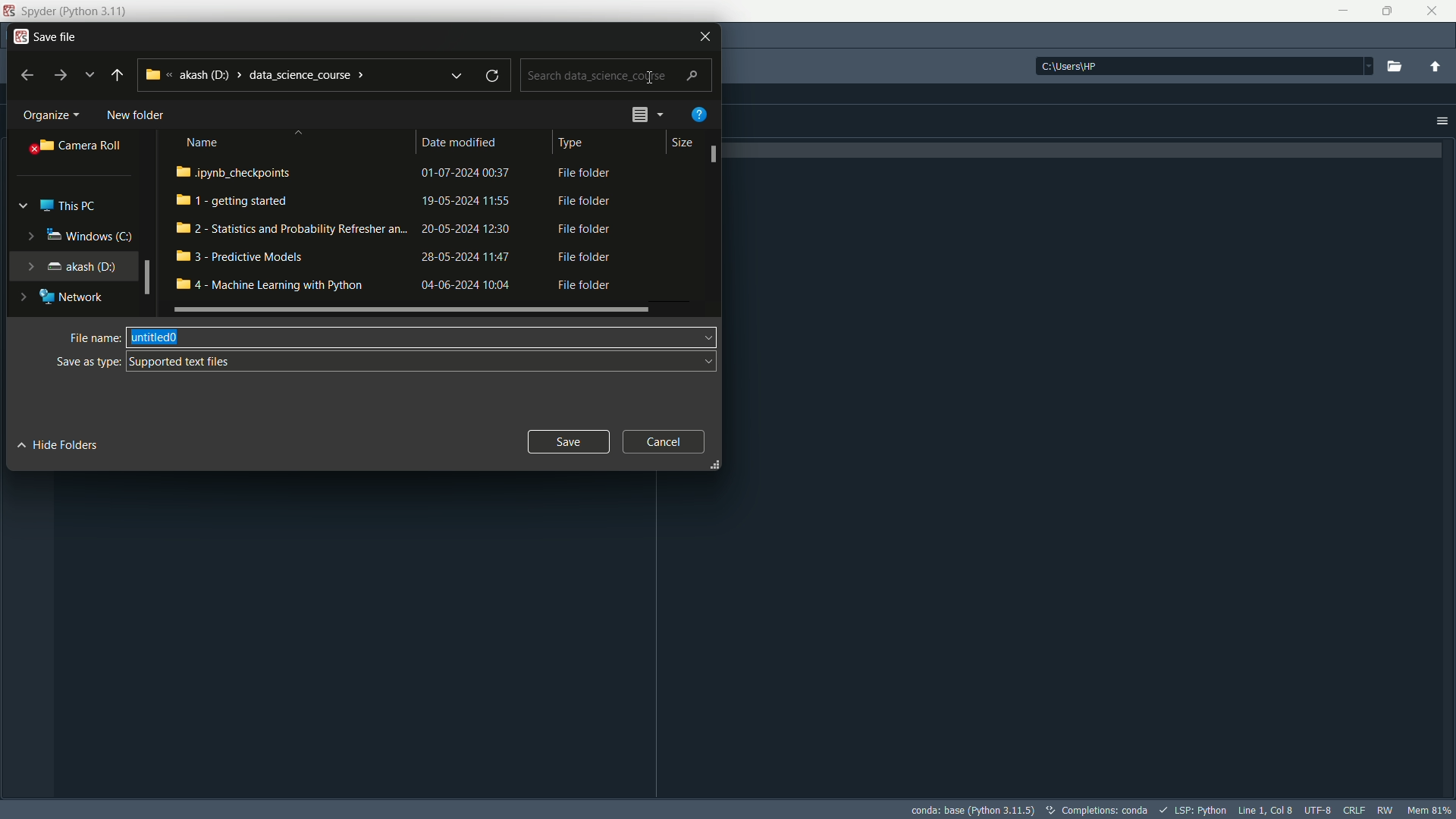  What do you see at coordinates (465, 231) in the screenshot?
I see `01-07-2024 00:37
19-05-2024 11:55
ran. 20-05-2024 12:30` at bounding box center [465, 231].